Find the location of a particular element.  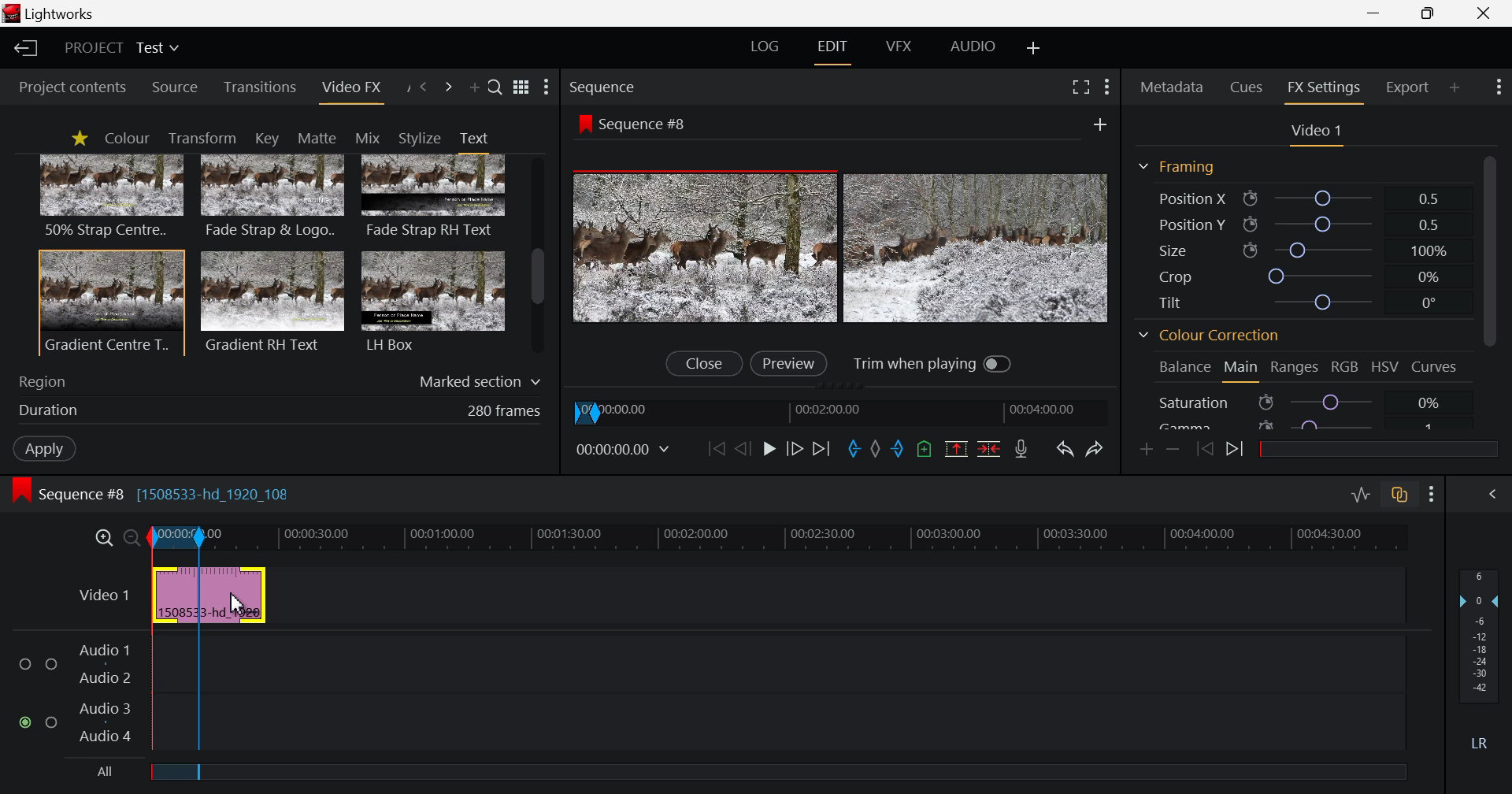

Video Settings is located at coordinates (1317, 132).